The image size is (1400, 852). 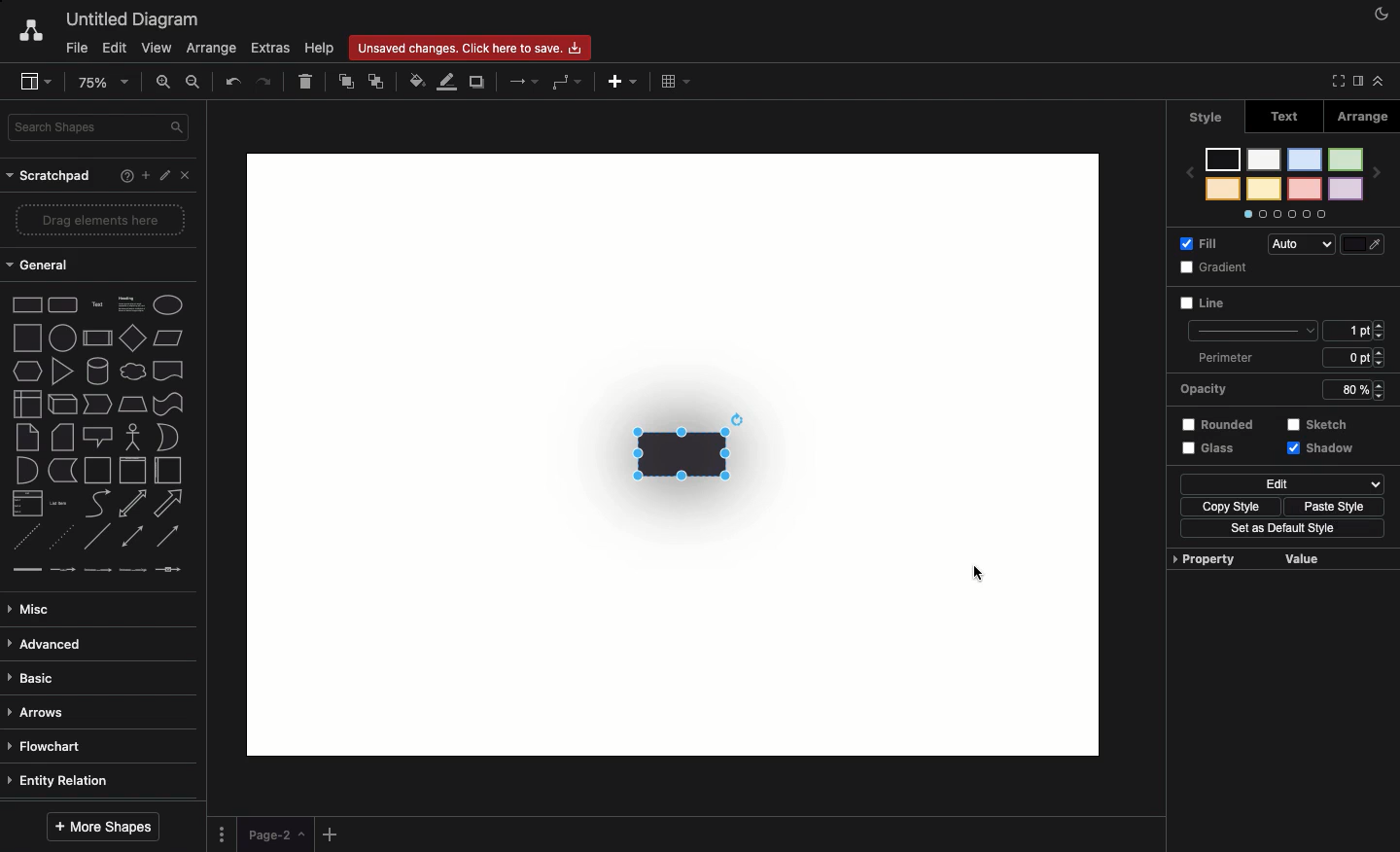 What do you see at coordinates (519, 81) in the screenshot?
I see `Arrows` at bounding box center [519, 81].